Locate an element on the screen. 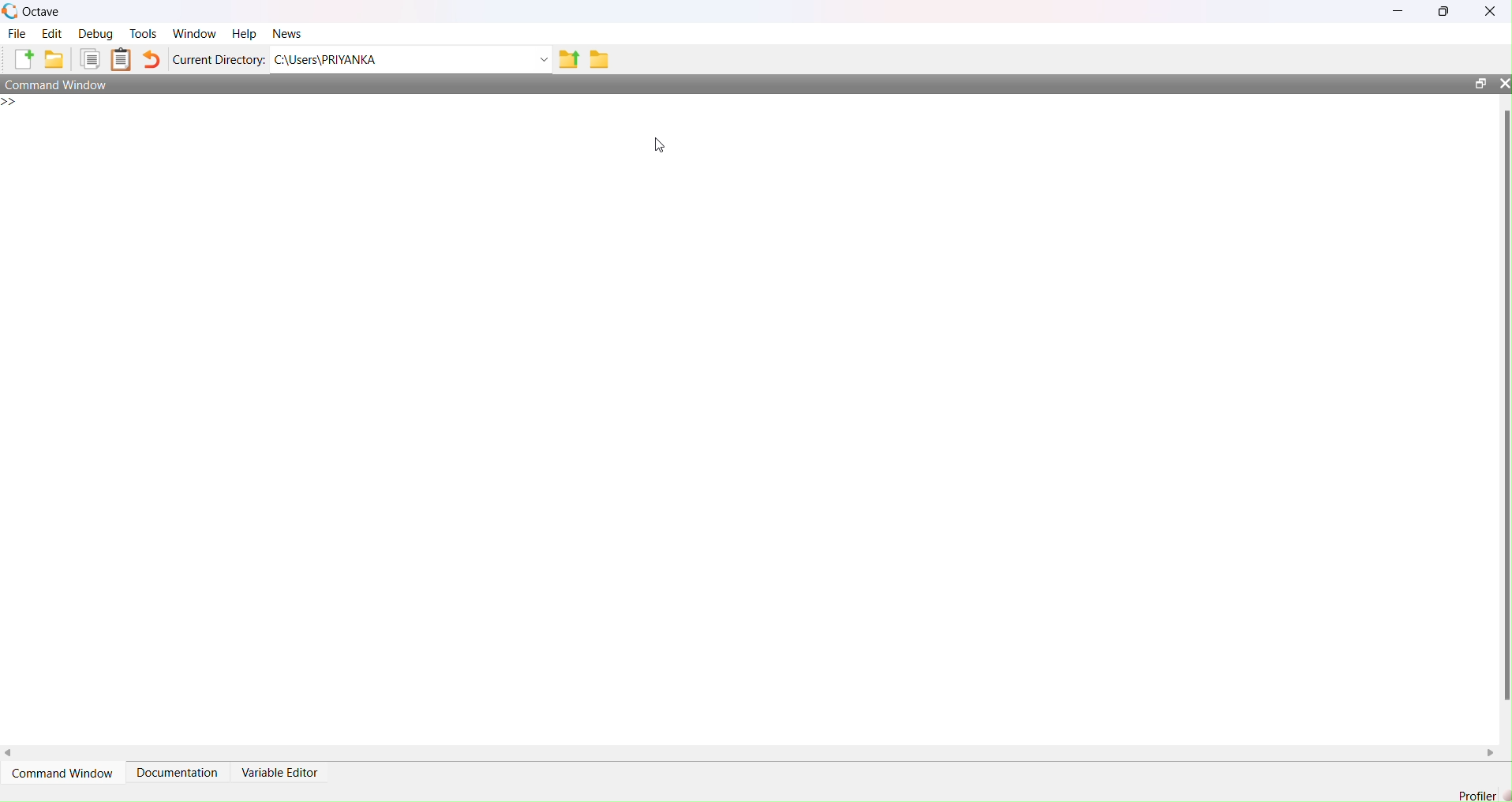 The height and width of the screenshot is (802, 1512). export is located at coordinates (567, 59).